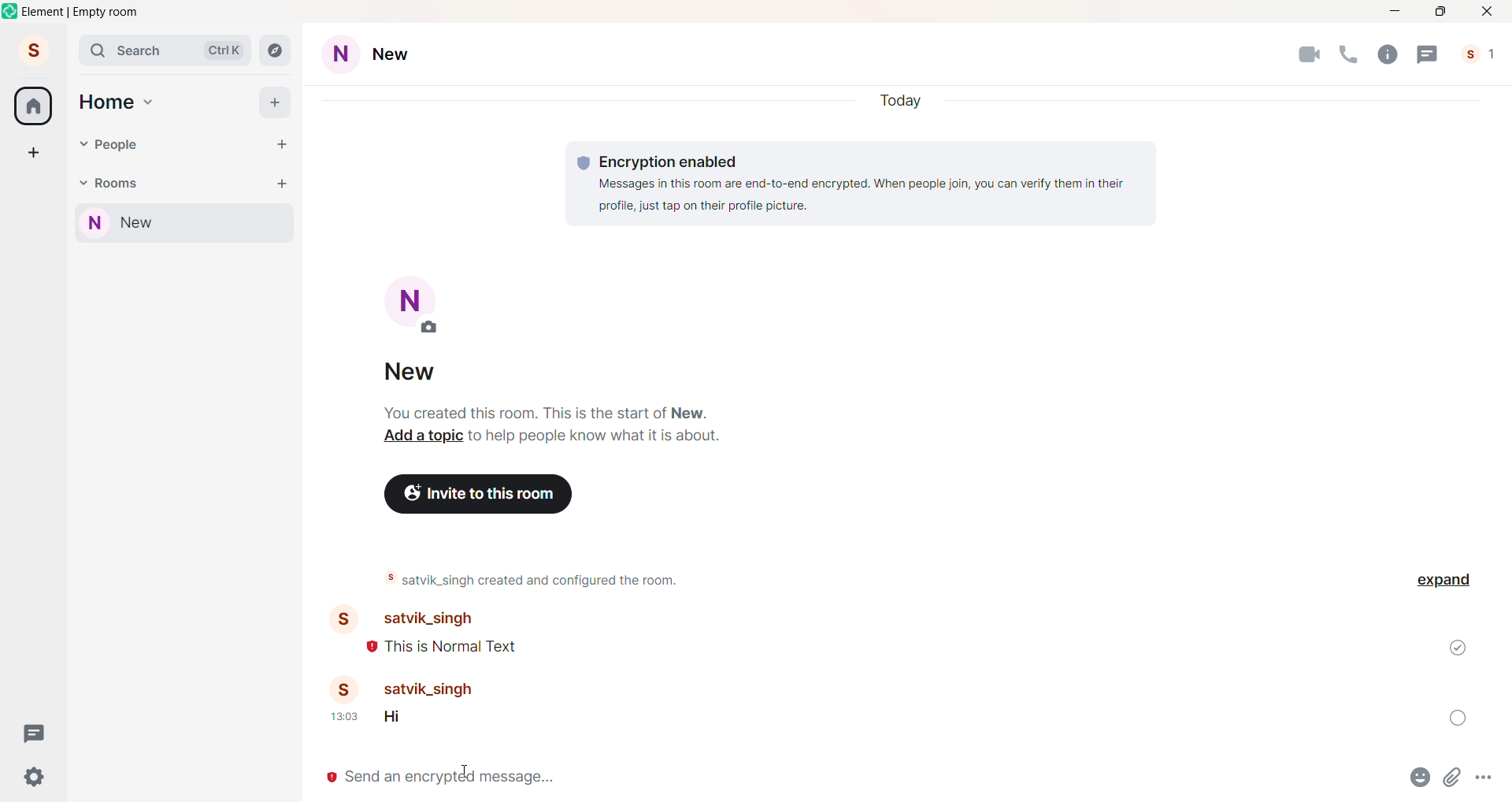 The height and width of the screenshot is (802, 1512). Describe the element at coordinates (1421, 779) in the screenshot. I see `Emojis` at that location.